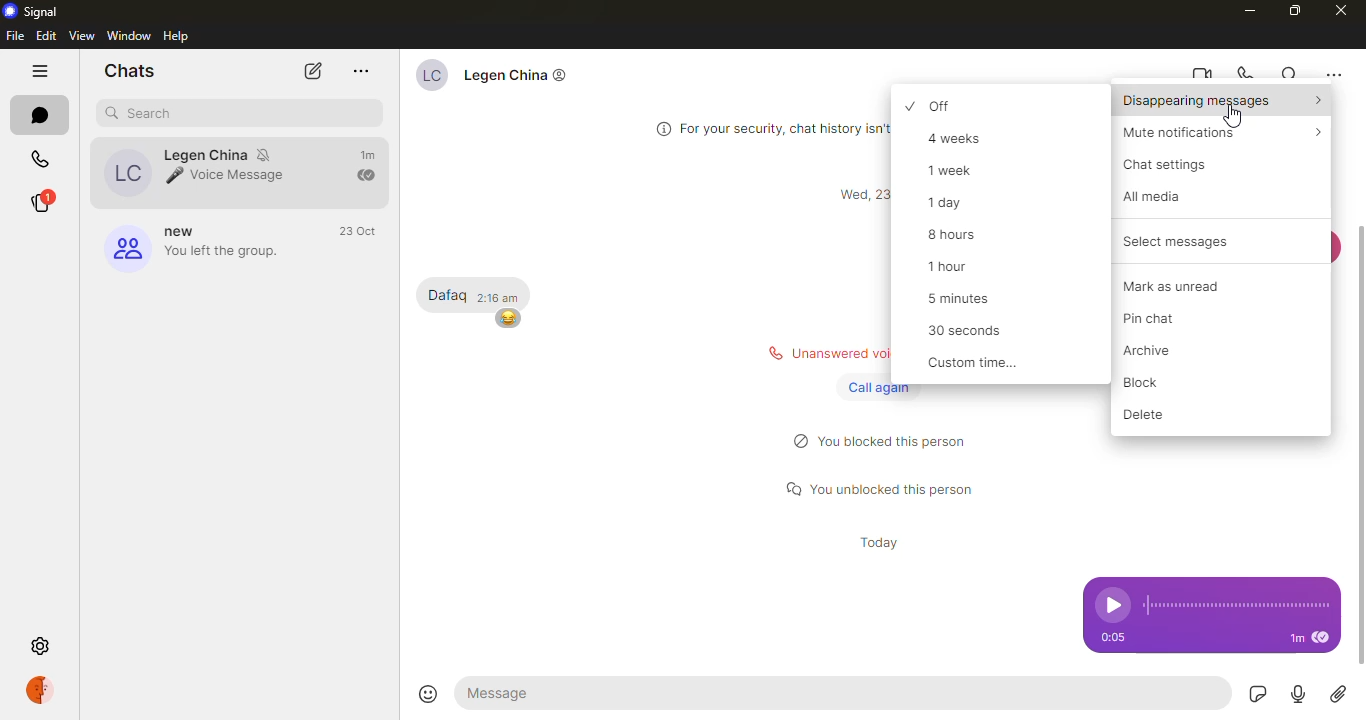 The height and width of the screenshot is (720, 1366). Describe the element at coordinates (1236, 114) in the screenshot. I see `cursor` at that location.